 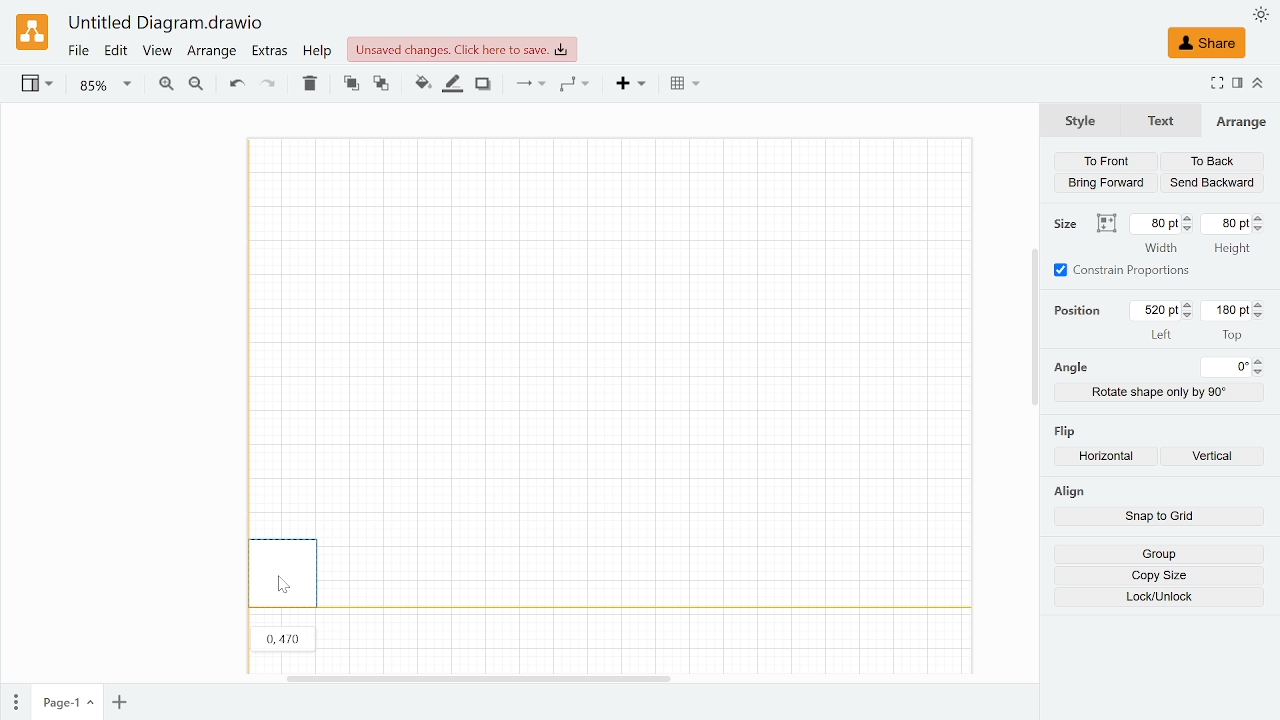 I want to click on Current angle, so click(x=1227, y=367).